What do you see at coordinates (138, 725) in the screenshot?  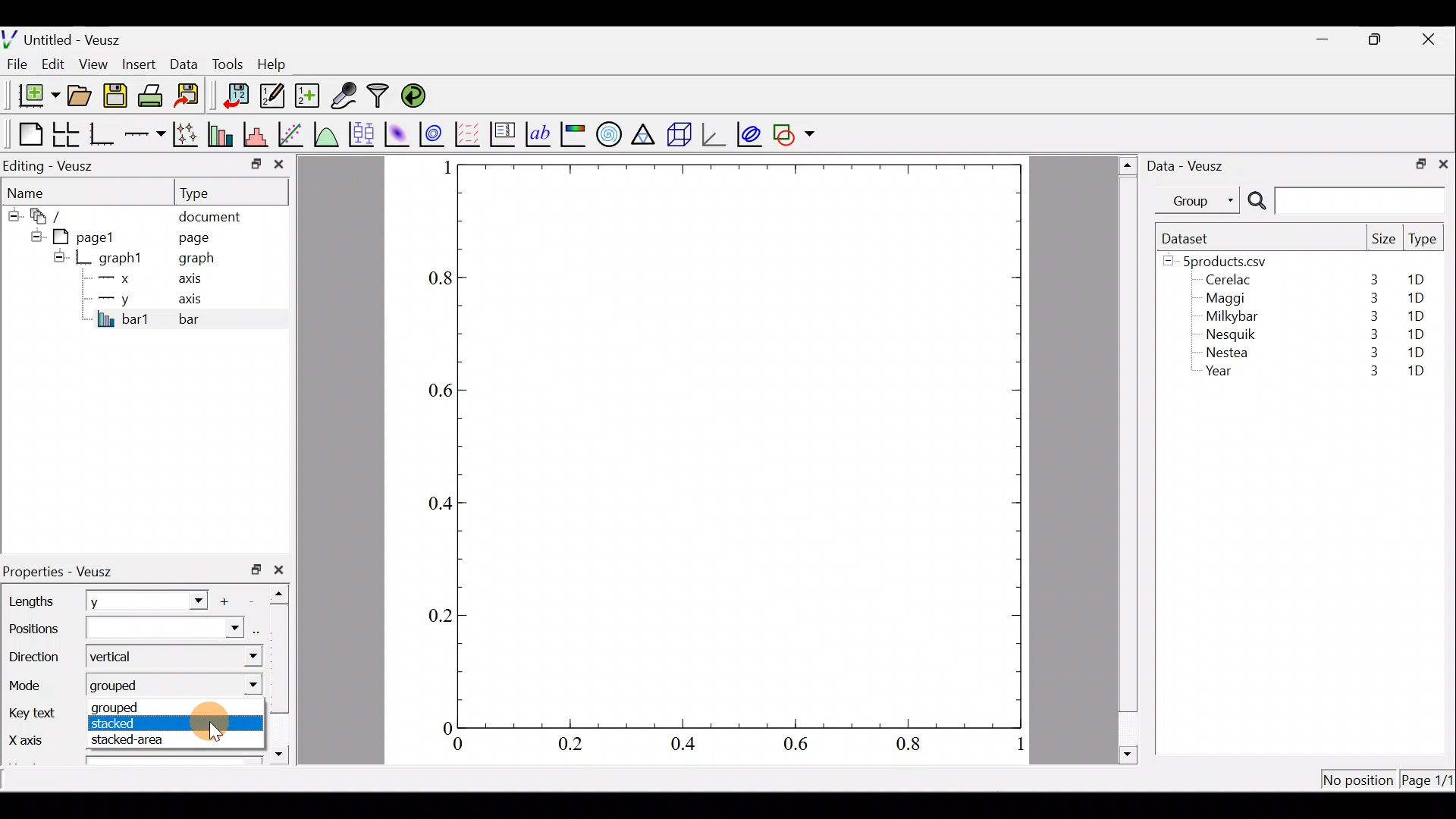 I see `stacked` at bounding box center [138, 725].